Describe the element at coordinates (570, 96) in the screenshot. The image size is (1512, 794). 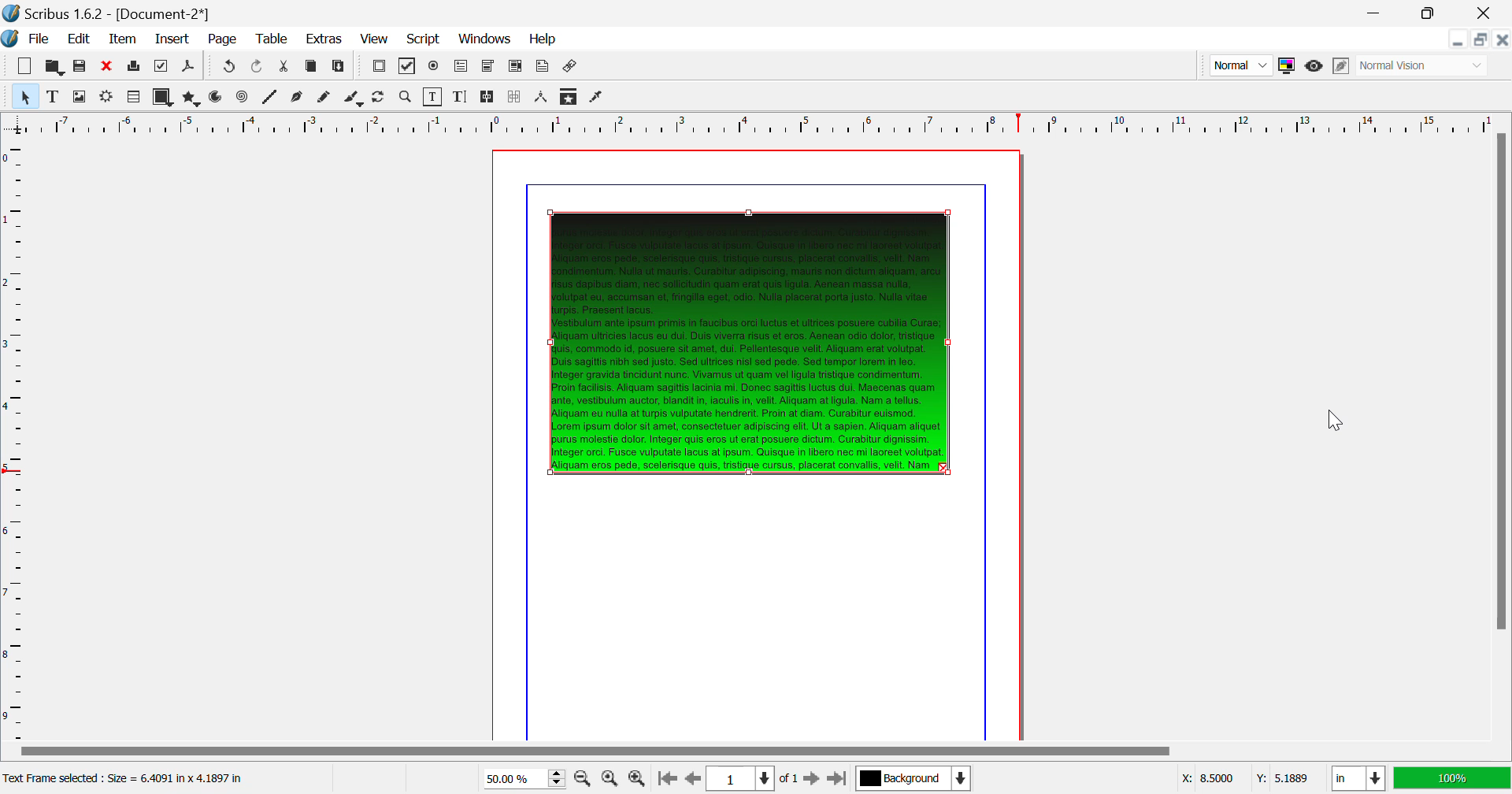
I see `Copy Item Properties` at that location.